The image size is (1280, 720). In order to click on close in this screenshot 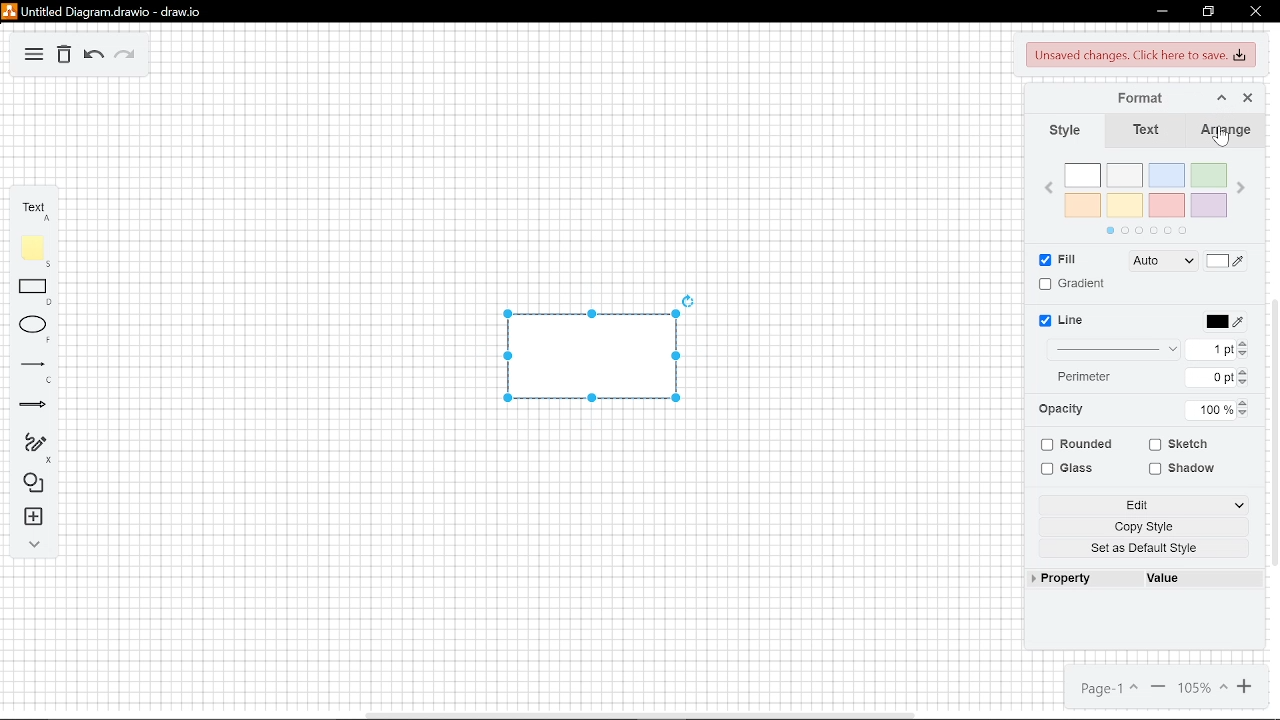, I will do `click(1255, 12)`.